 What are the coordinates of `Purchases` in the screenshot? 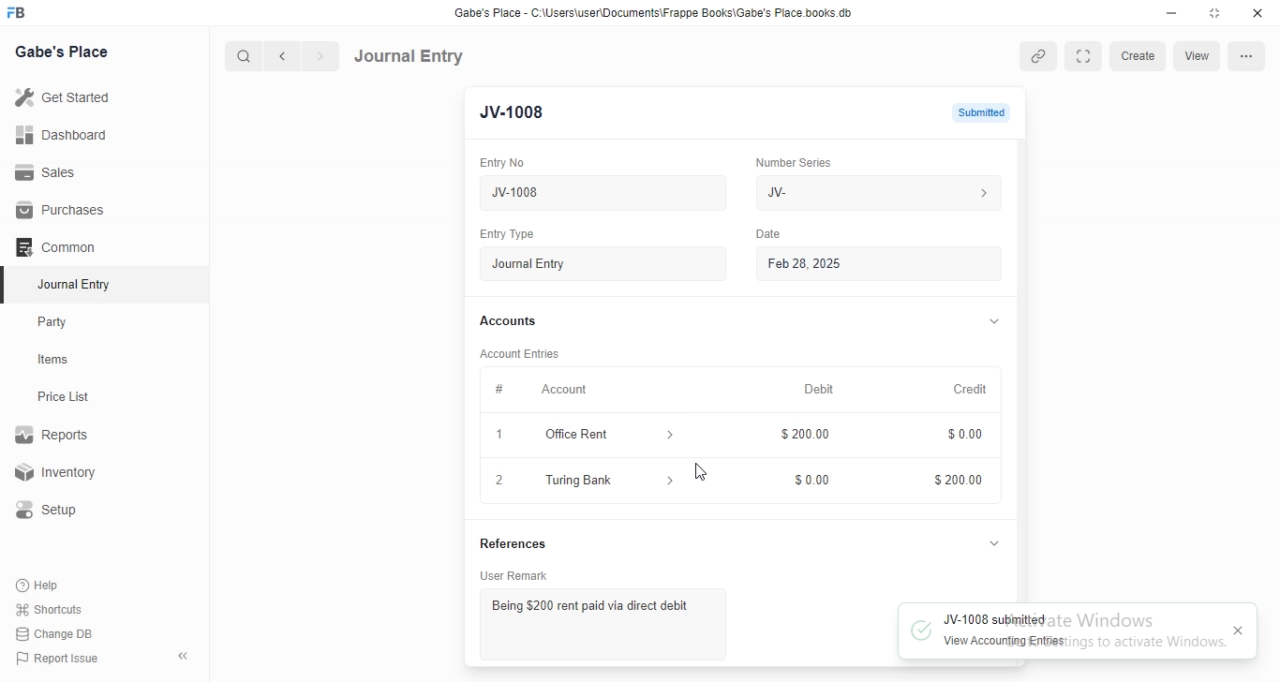 It's located at (61, 210).